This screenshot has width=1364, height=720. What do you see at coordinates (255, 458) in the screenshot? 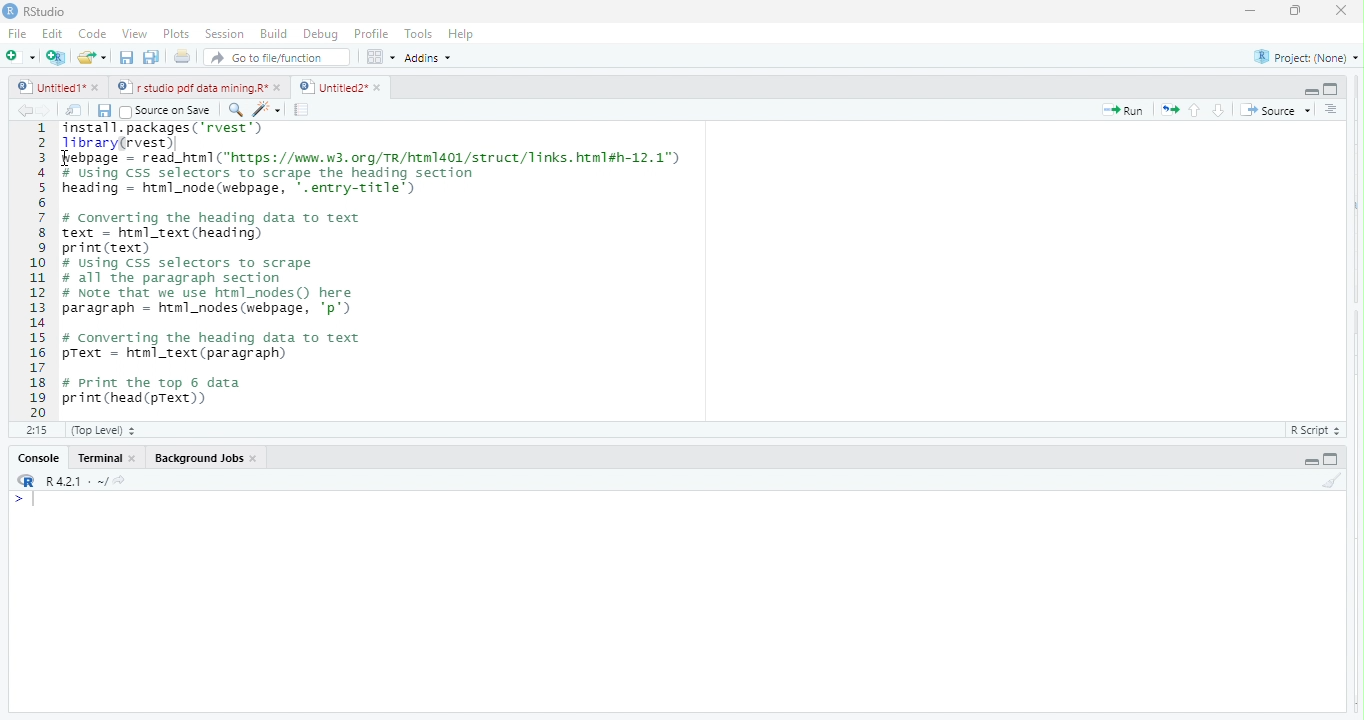
I see `close` at bounding box center [255, 458].